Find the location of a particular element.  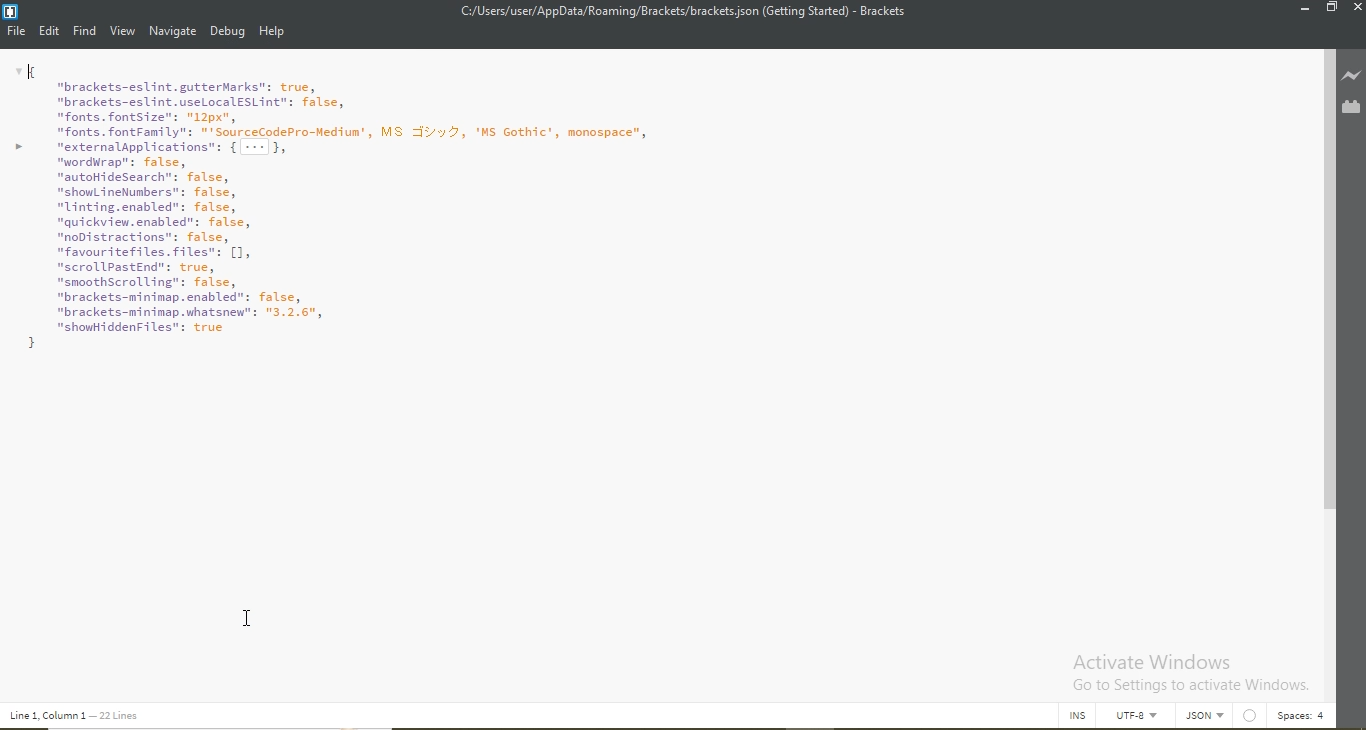

restore is located at coordinates (1332, 9).